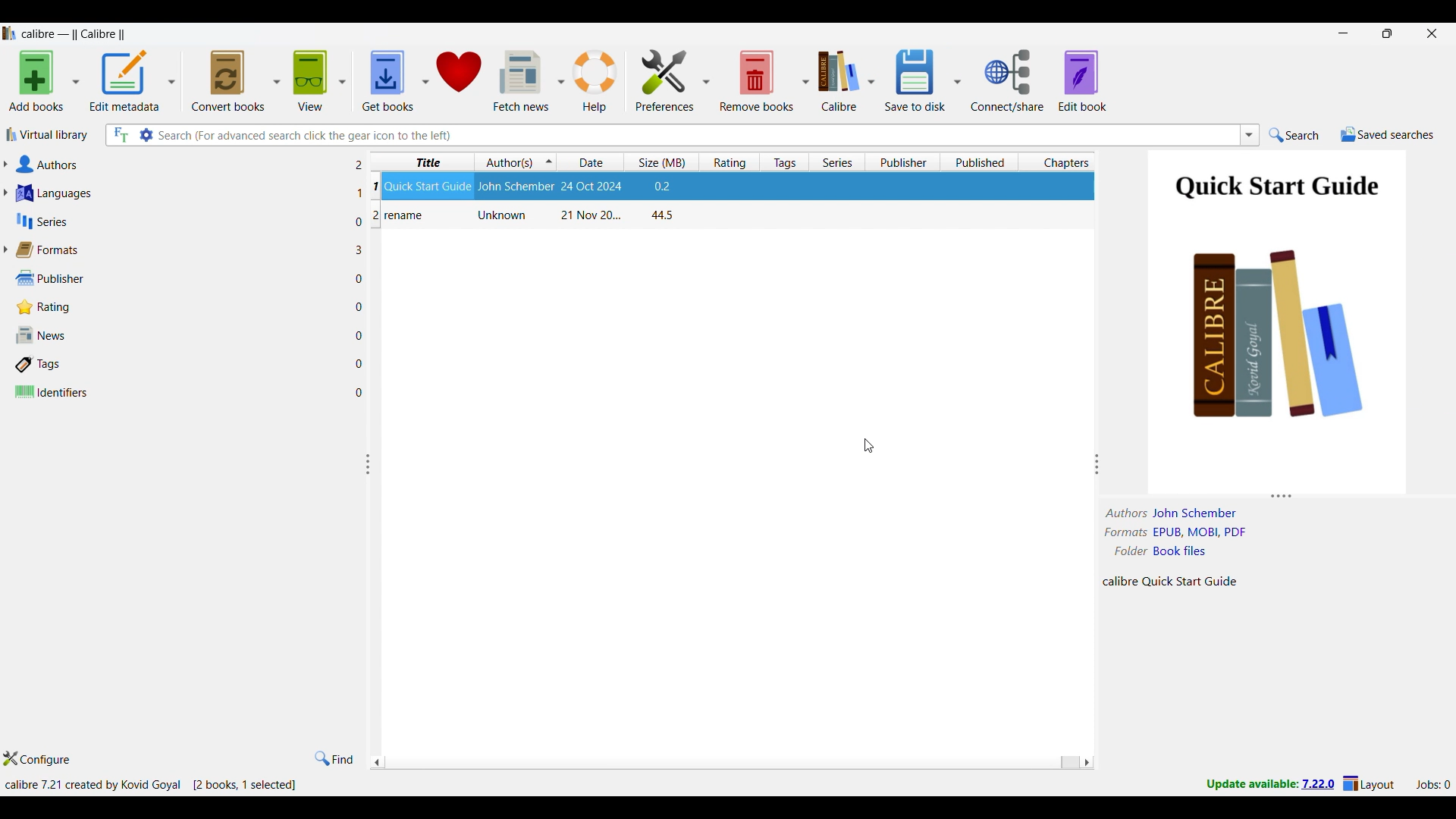 This screenshot has width=1456, height=819. Describe the element at coordinates (1278, 496) in the screenshot. I see `Change height of columns attached to this panel` at that location.